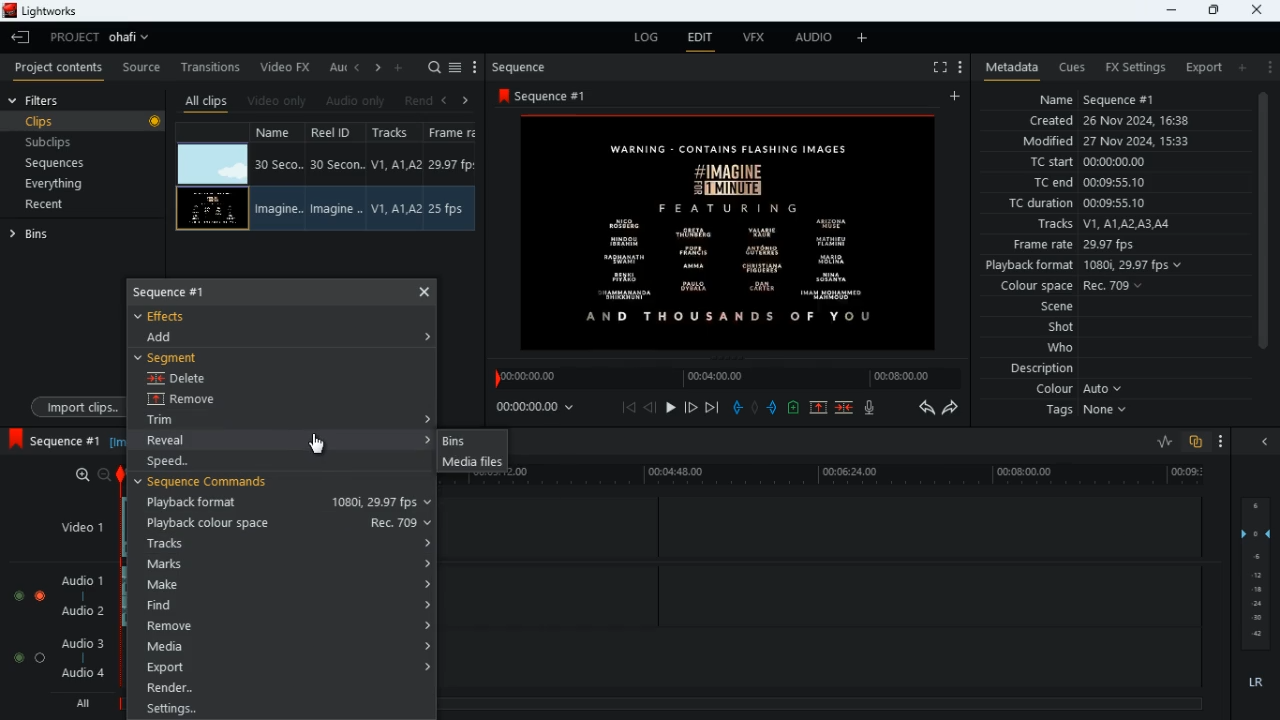  I want to click on au, so click(338, 67).